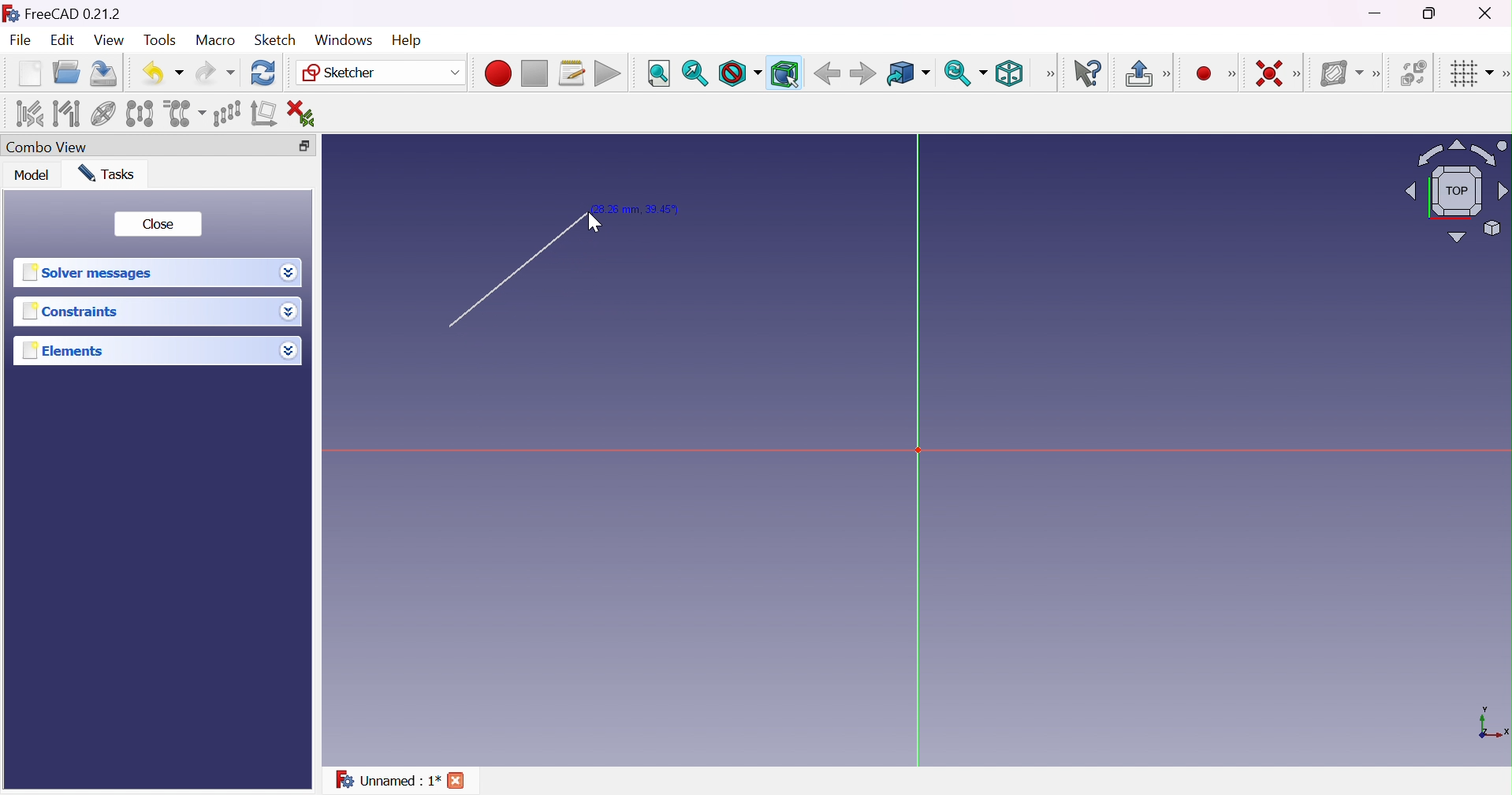 This screenshot has width=1512, height=795. I want to click on x, y plane, so click(1493, 724).